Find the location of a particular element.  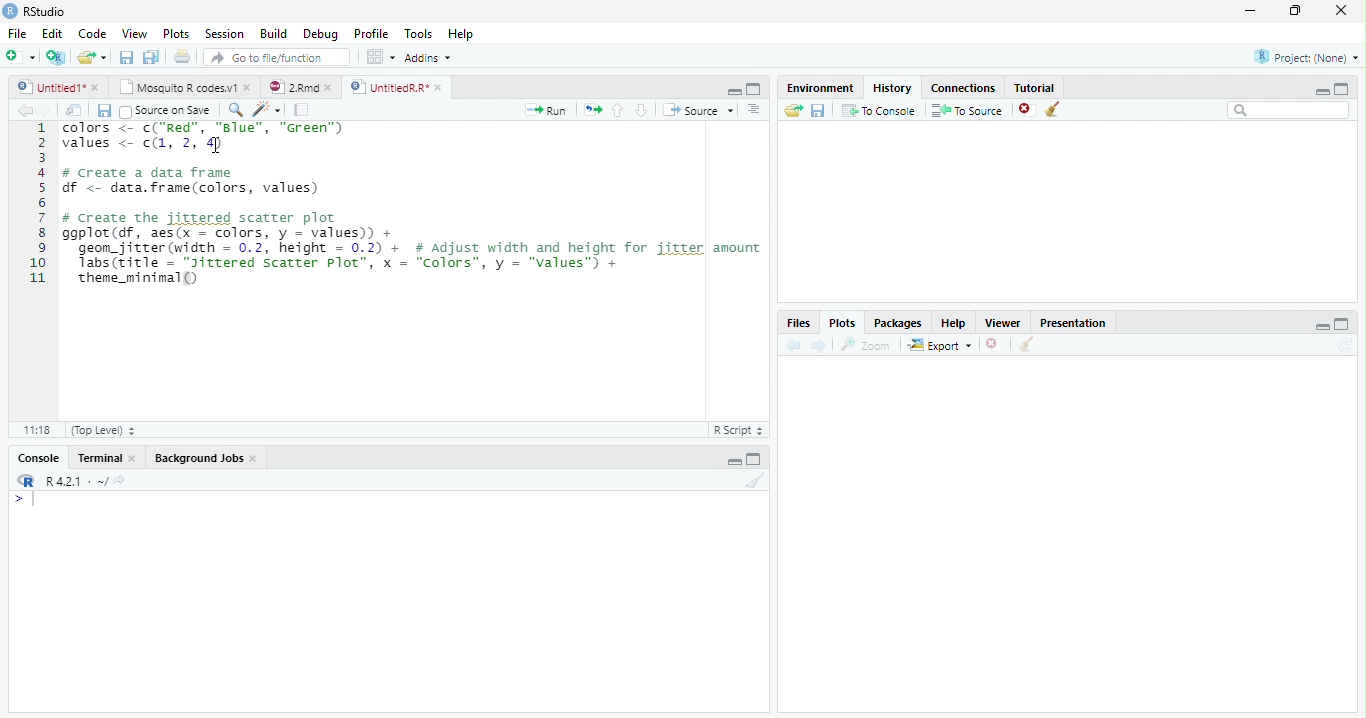

Clear console is located at coordinates (754, 481).